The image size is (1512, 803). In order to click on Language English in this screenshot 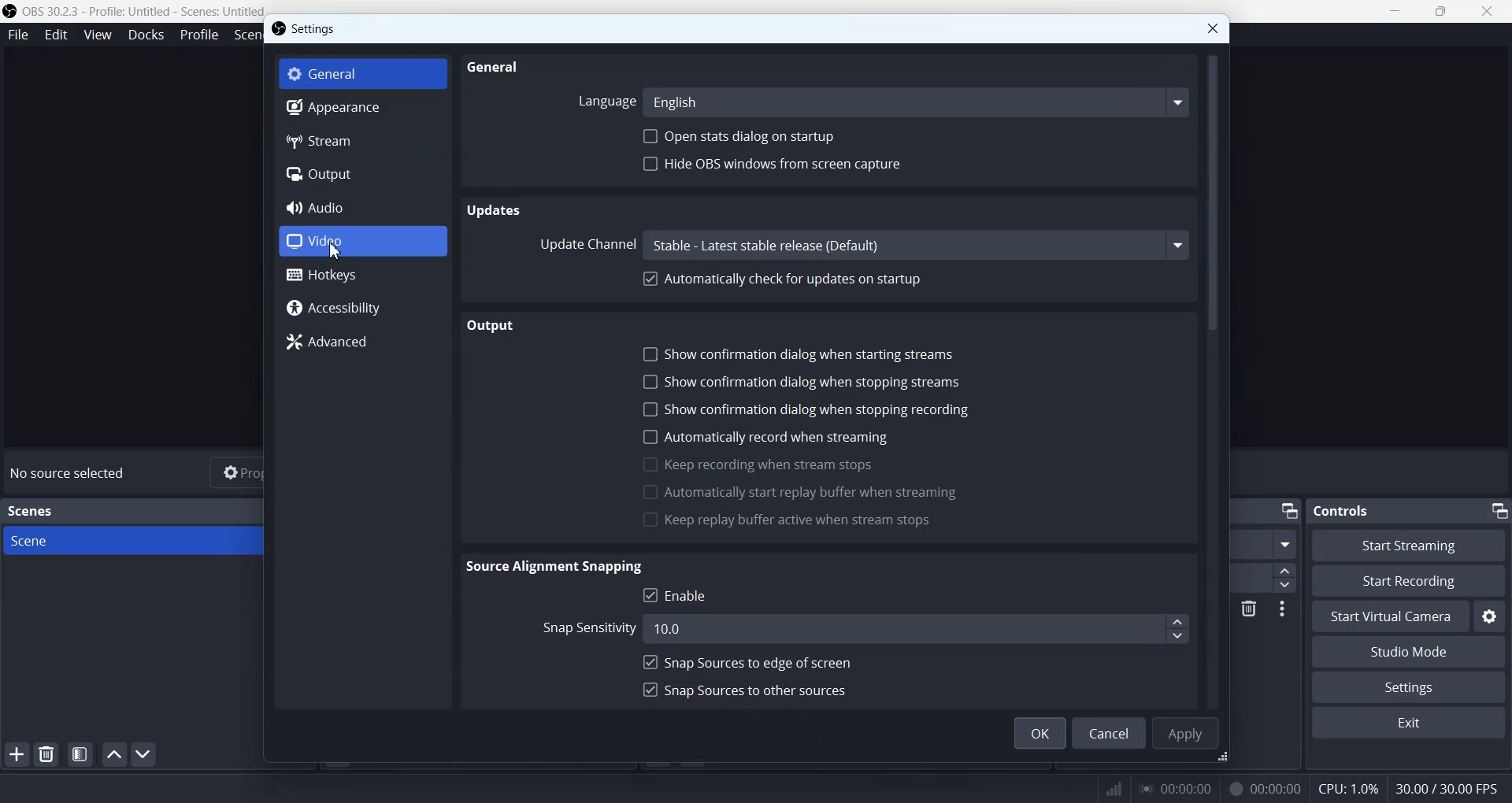, I will do `click(879, 101)`.